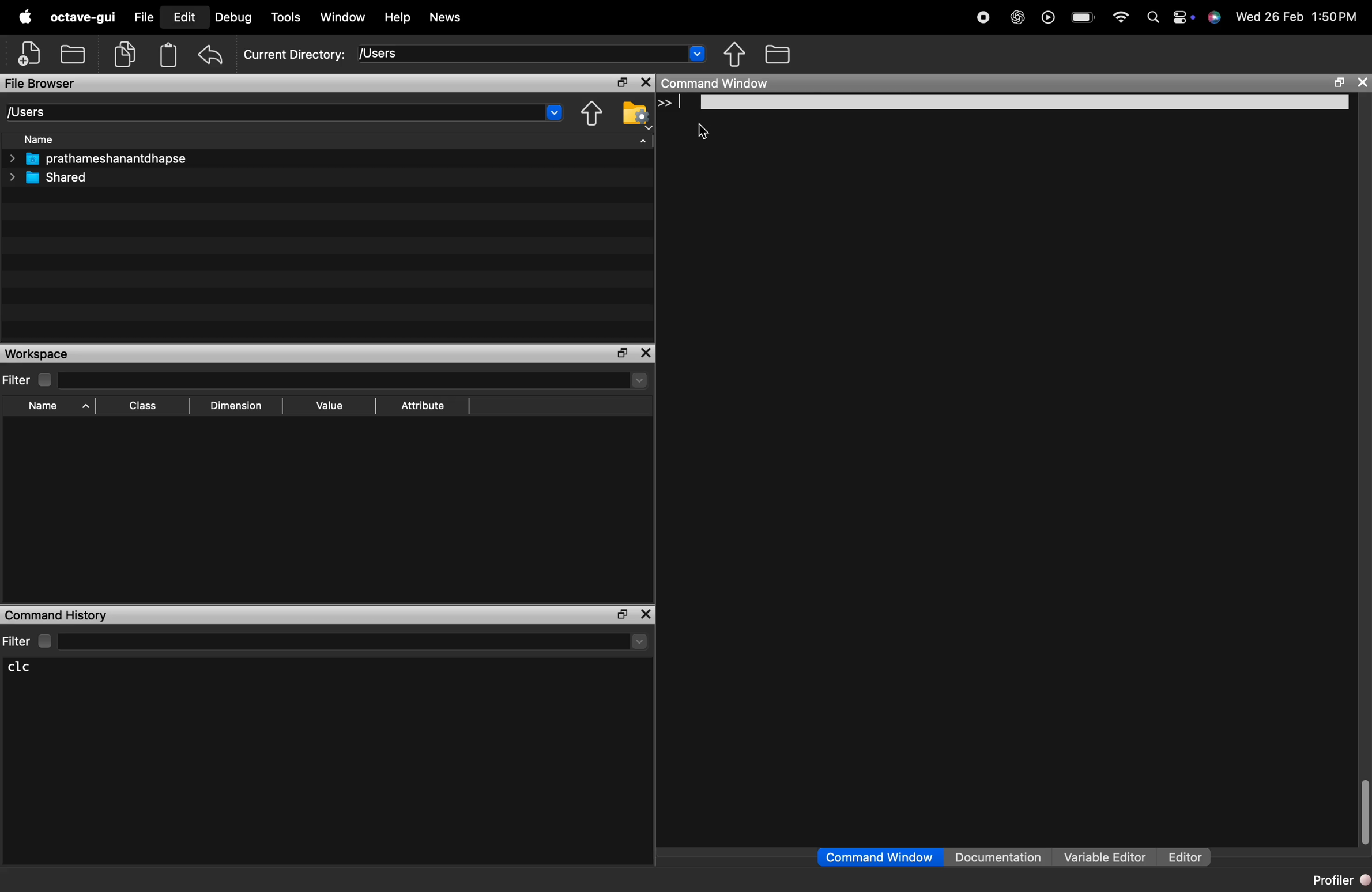  I want to click on Command Window, so click(717, 83).